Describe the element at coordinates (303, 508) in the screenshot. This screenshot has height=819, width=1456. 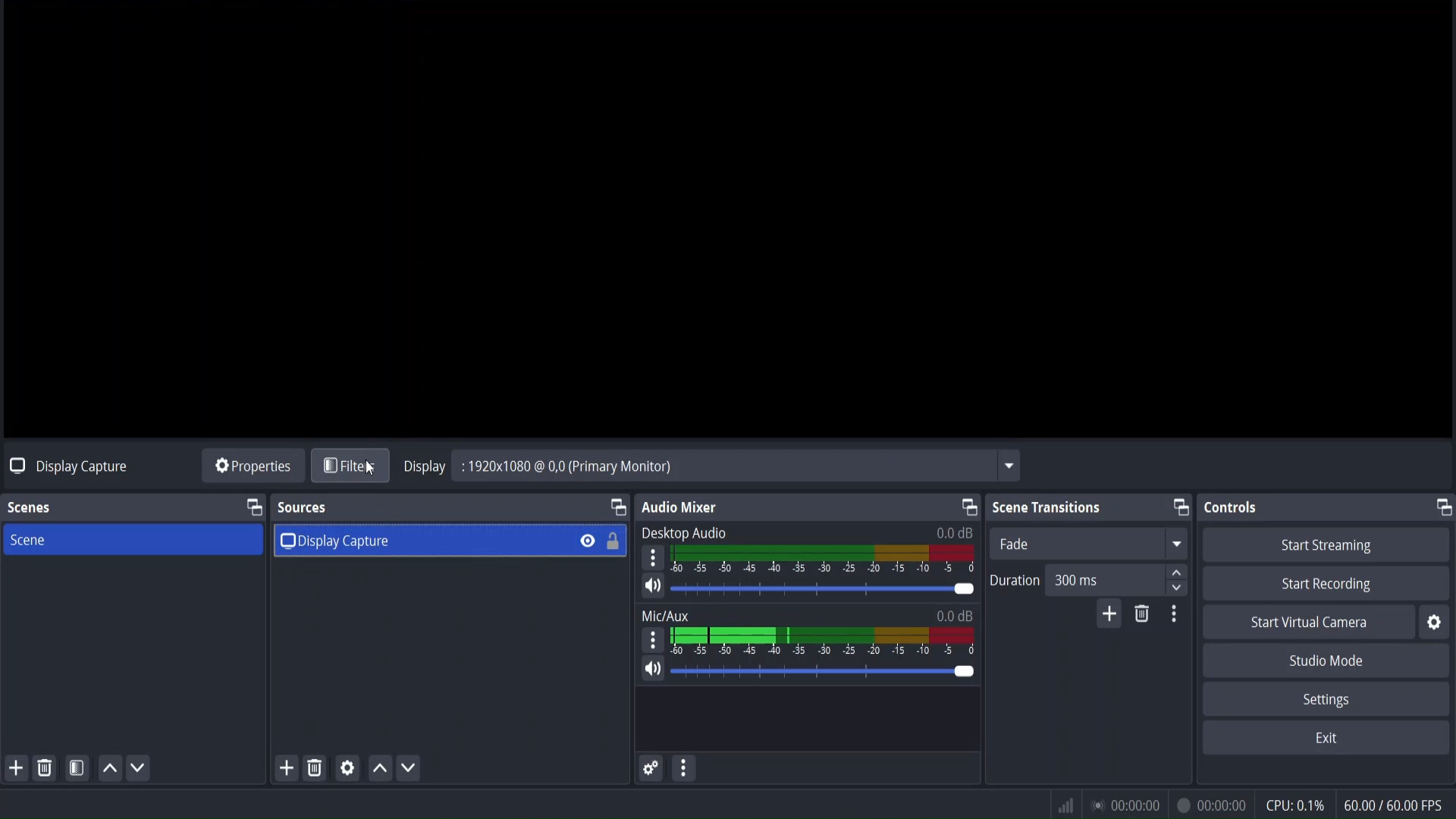
I see `sources` at that location.